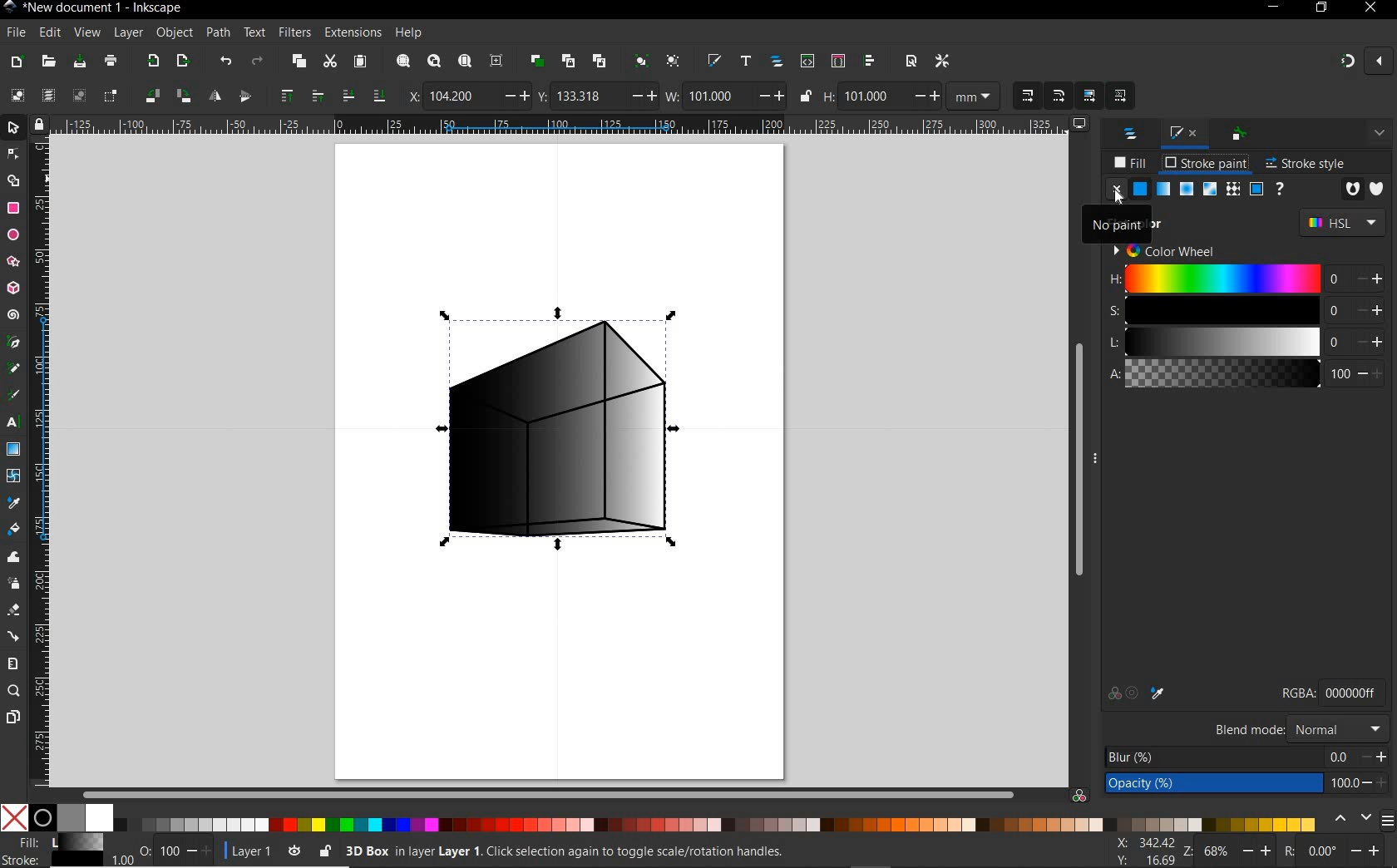 This screenshot has height=868, width=1397. What do you see at coordinates (1115, 334) in the screenshot?
I see `H S L A` at bounding box center [1115, 334].